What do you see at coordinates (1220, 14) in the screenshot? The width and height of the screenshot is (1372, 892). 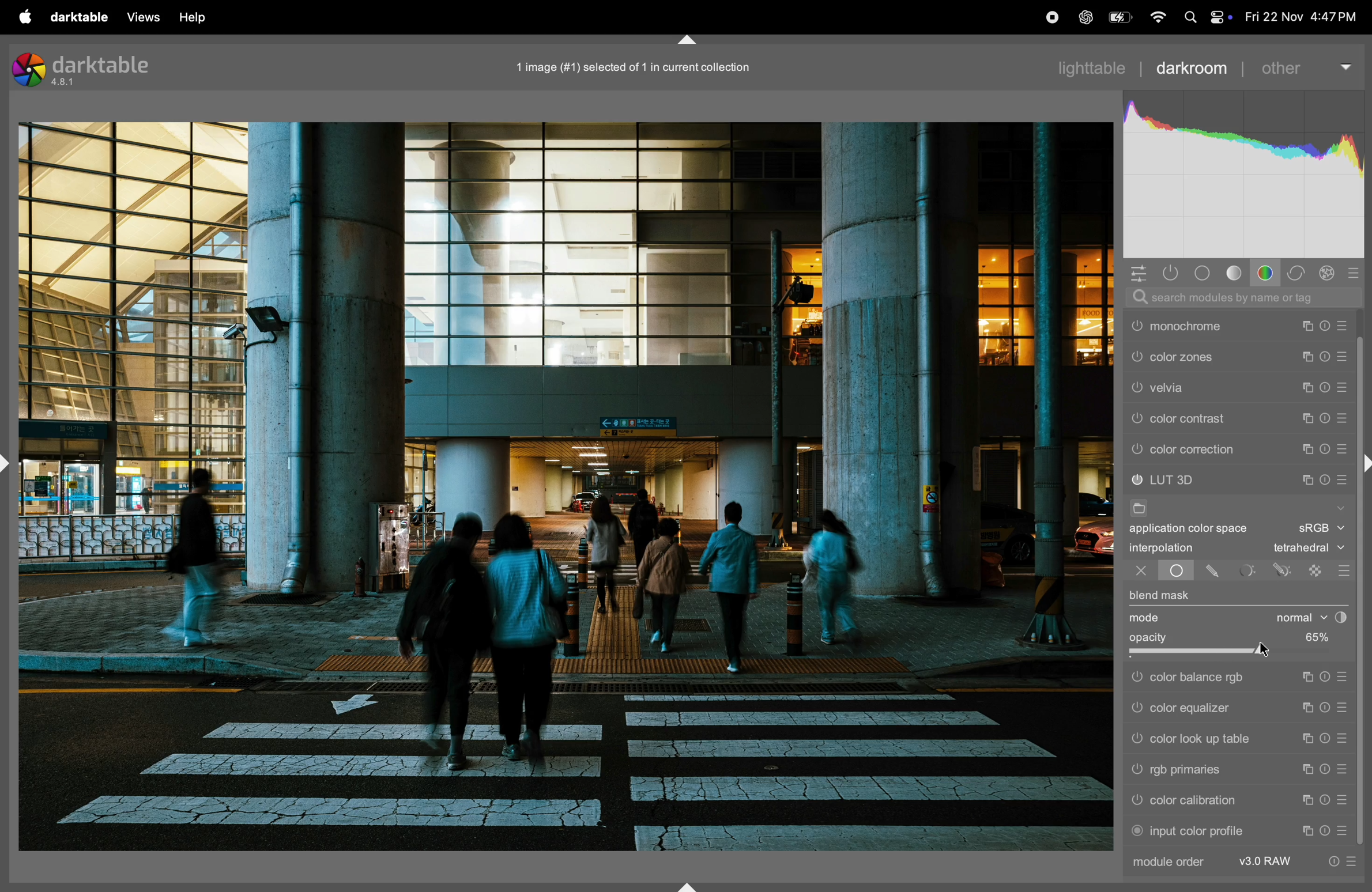 I see `apple widgets` at bounding box center [1220, 14].